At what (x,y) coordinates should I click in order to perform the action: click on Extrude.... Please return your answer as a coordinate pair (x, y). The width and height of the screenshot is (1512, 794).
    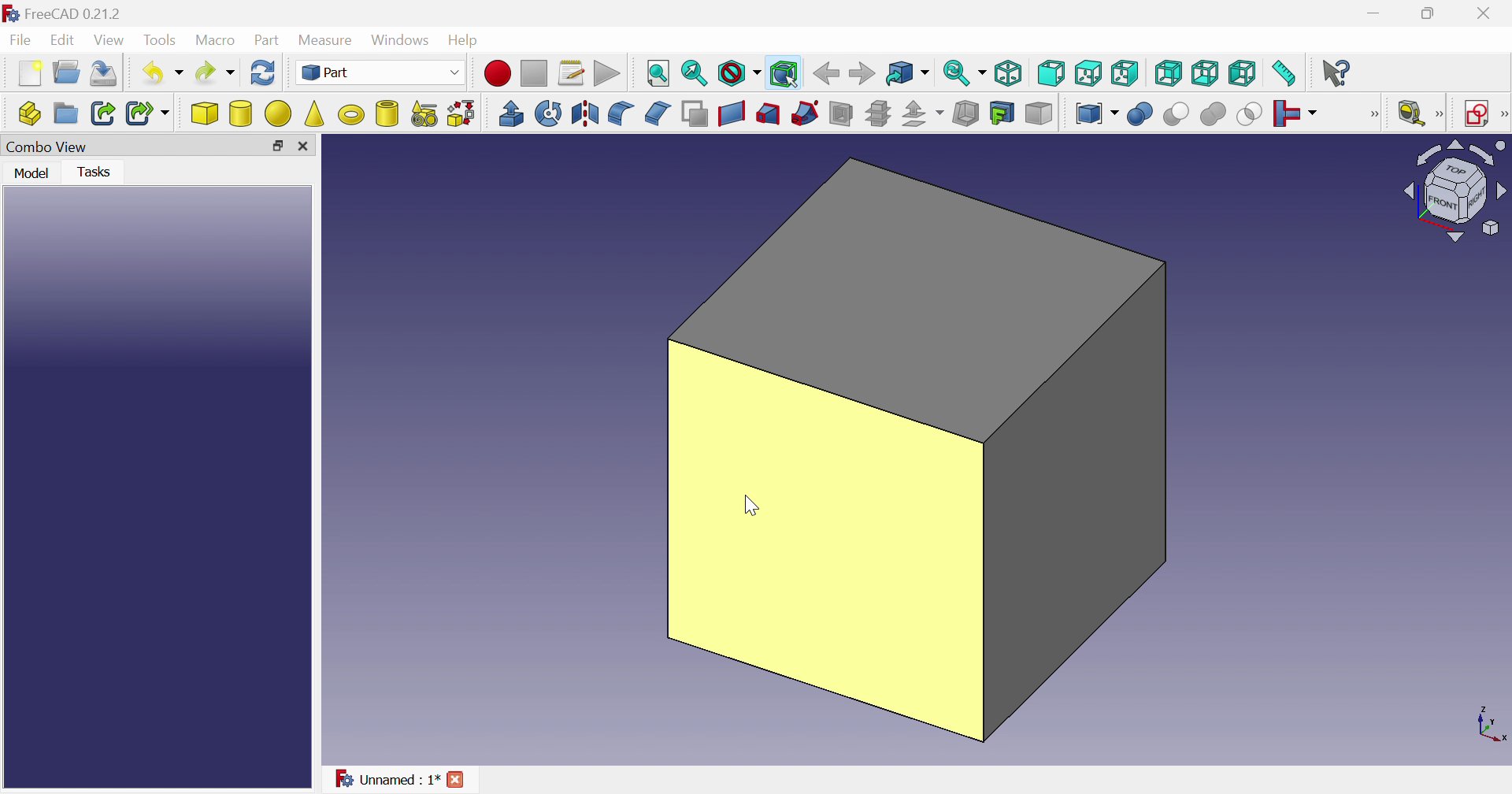
    Looking at the image, I should click on (510, 113).